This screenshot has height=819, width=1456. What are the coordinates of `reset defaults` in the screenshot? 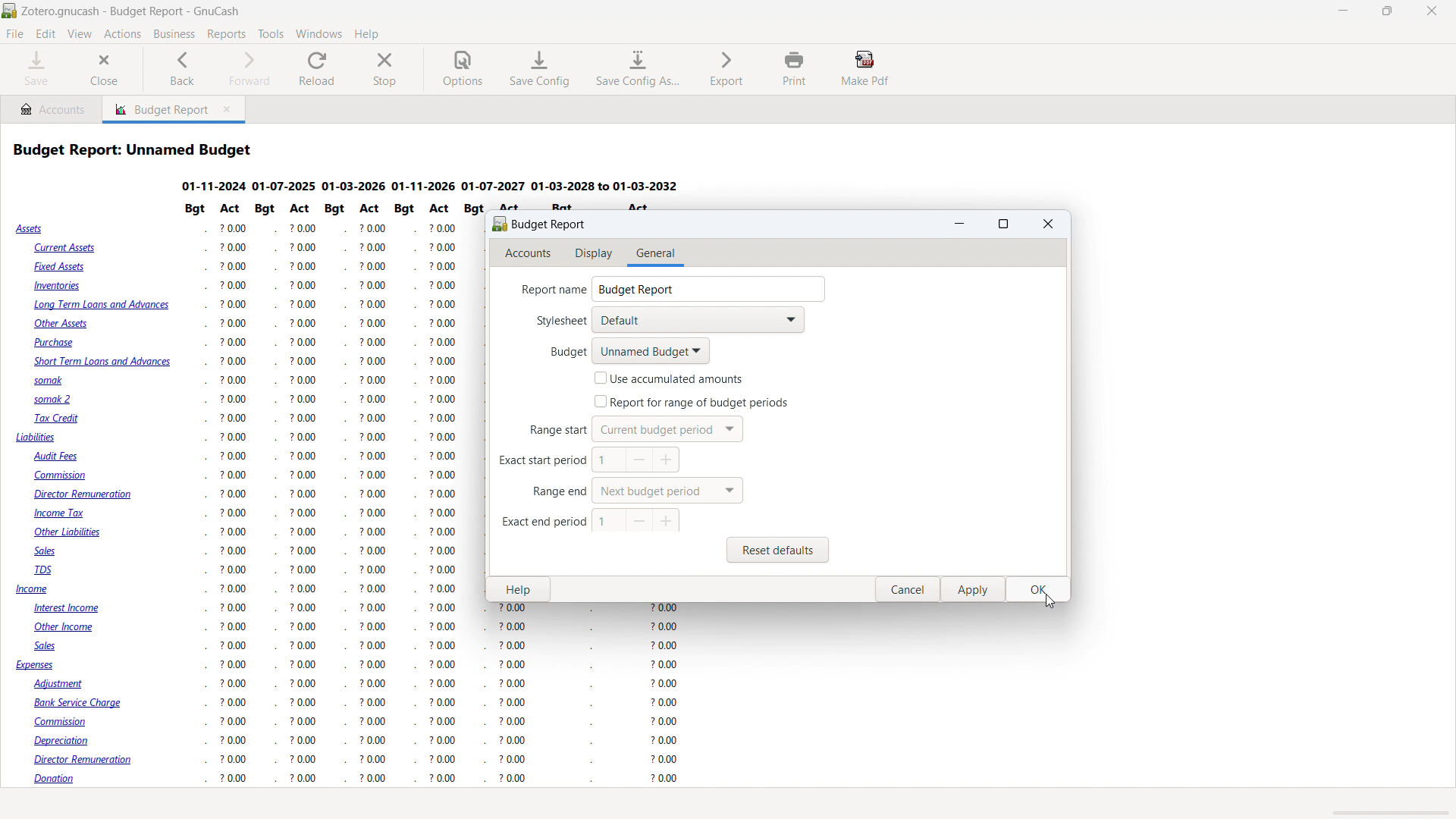 It's located at (778, 550).